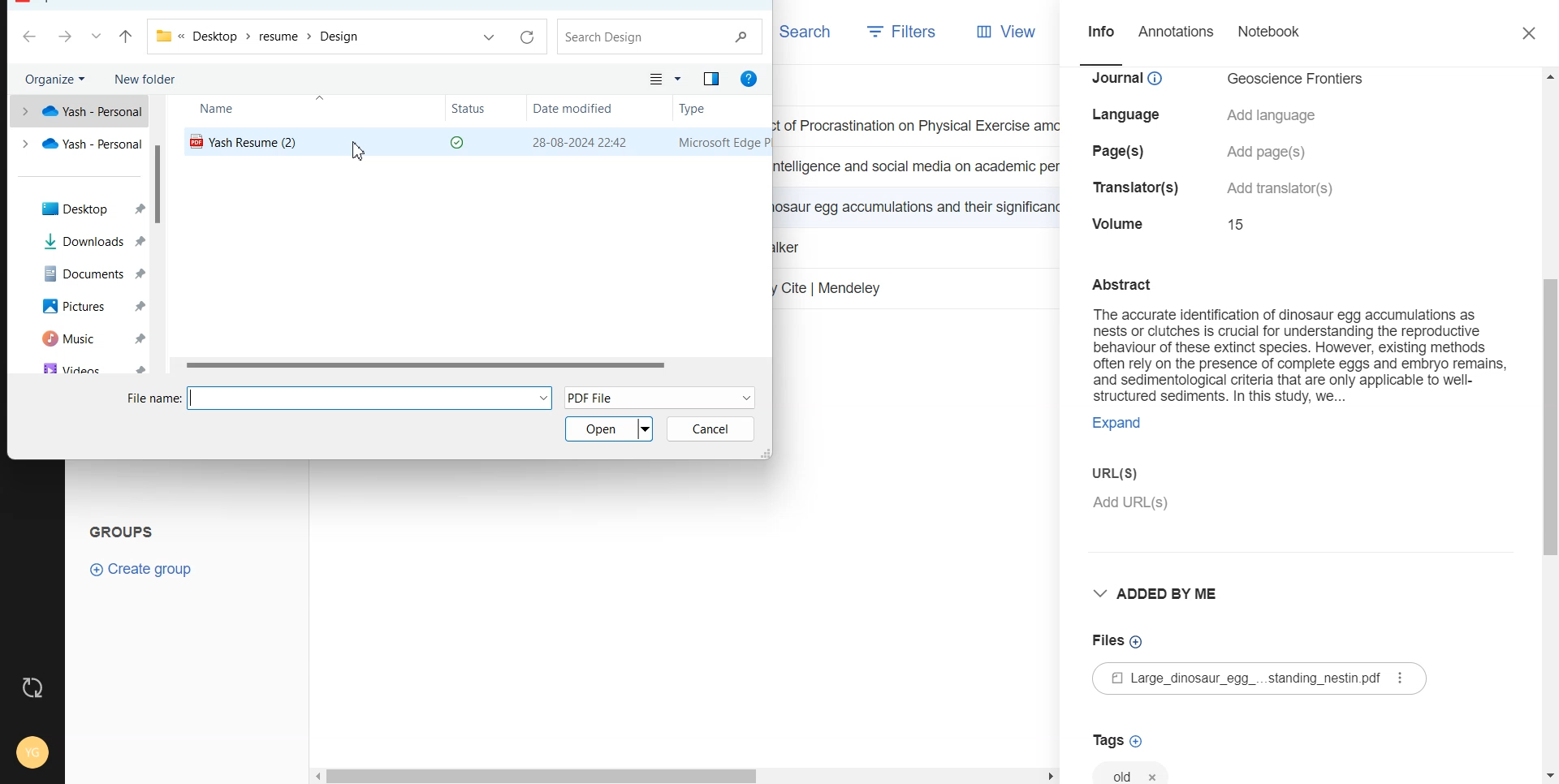 Image resolution: width=1559 pixels, height=784 pixels. What do you see at coordinates (1299, 80) in the screenshot?
I see `details` at bounding box center [1299, 80].